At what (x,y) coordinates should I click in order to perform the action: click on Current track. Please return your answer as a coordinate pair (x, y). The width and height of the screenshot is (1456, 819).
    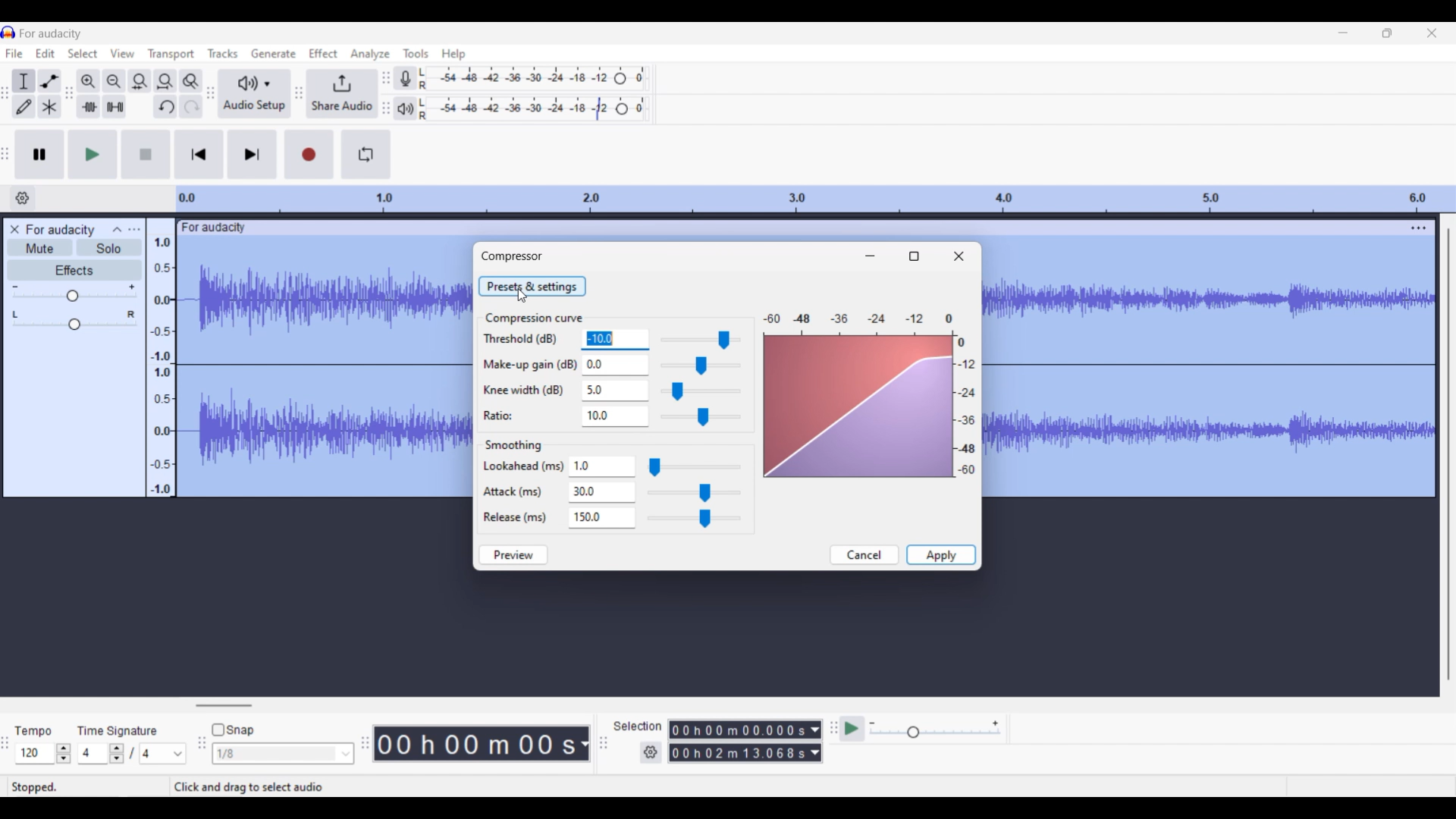
    Looking at the image, I should click on (325, 369).